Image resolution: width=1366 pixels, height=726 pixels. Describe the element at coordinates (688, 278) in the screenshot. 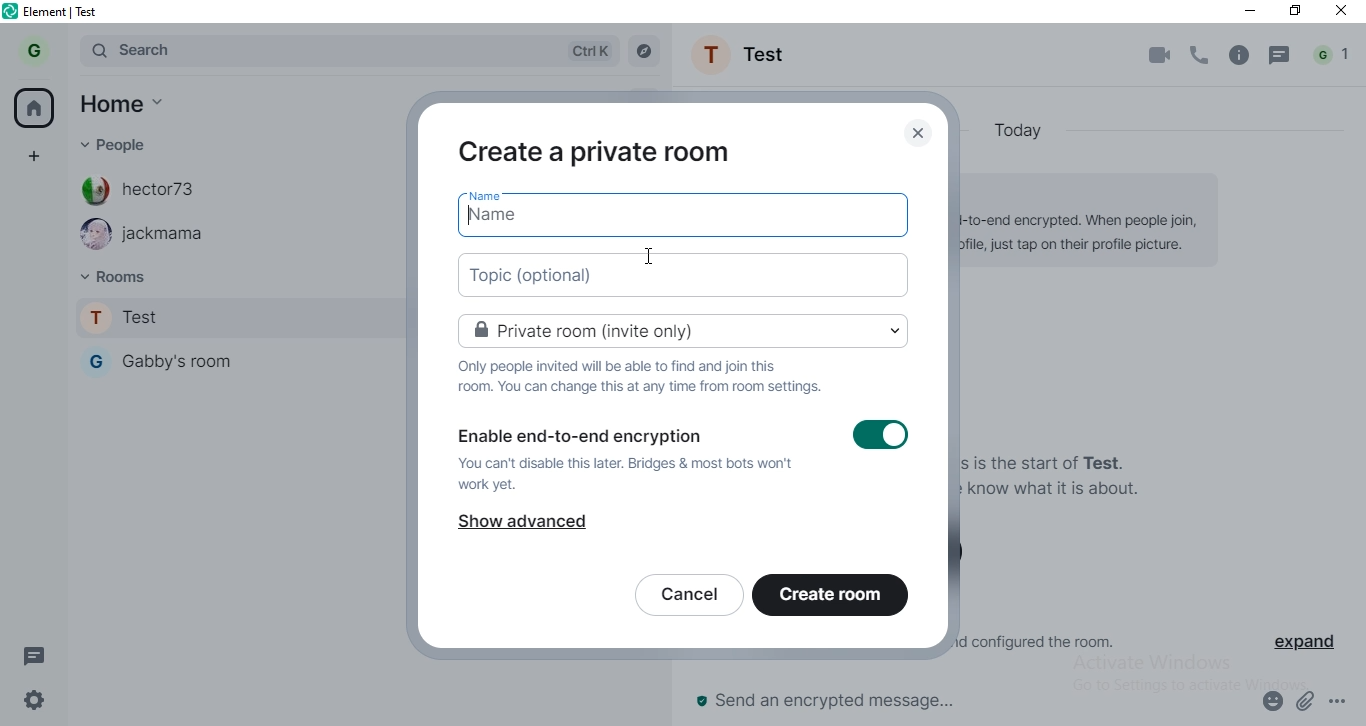

I see `topic` at that location.